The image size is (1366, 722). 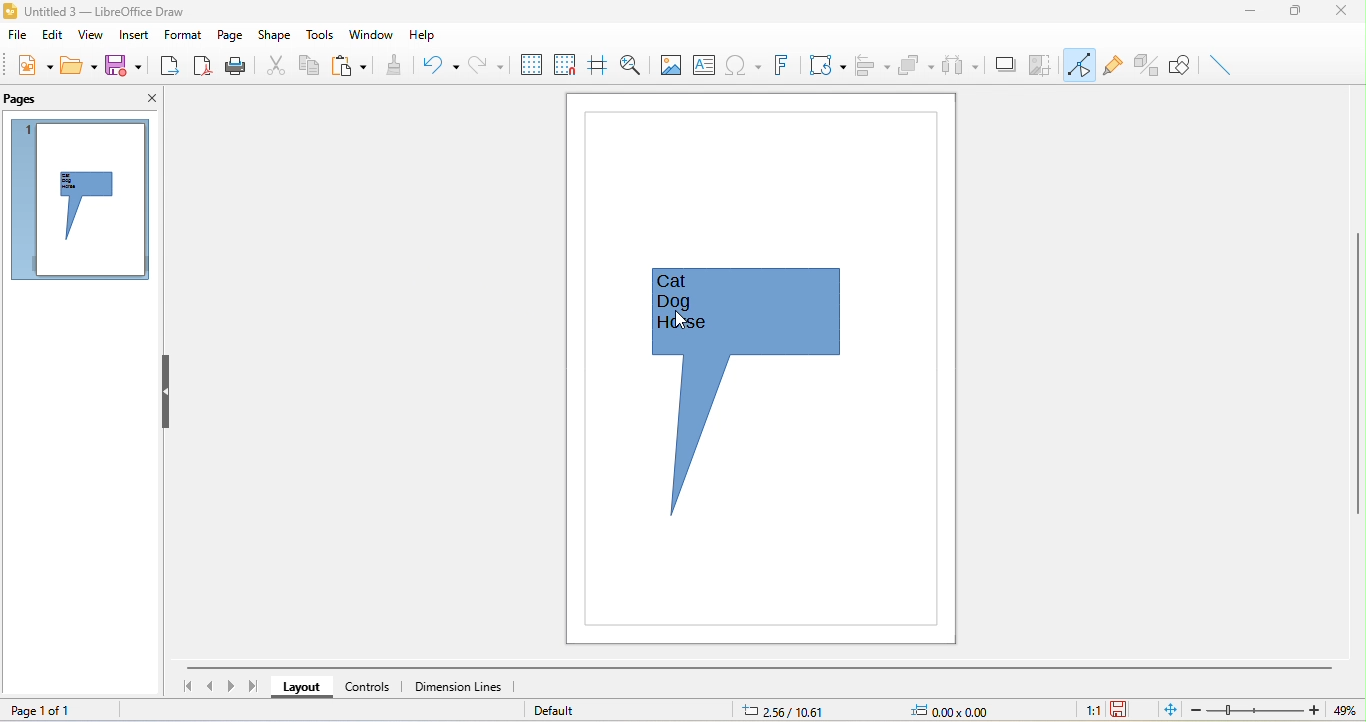 What do you see at coordinates (481, 65) in the screenshot?
I see `redo` at bounding box center [481, 65].